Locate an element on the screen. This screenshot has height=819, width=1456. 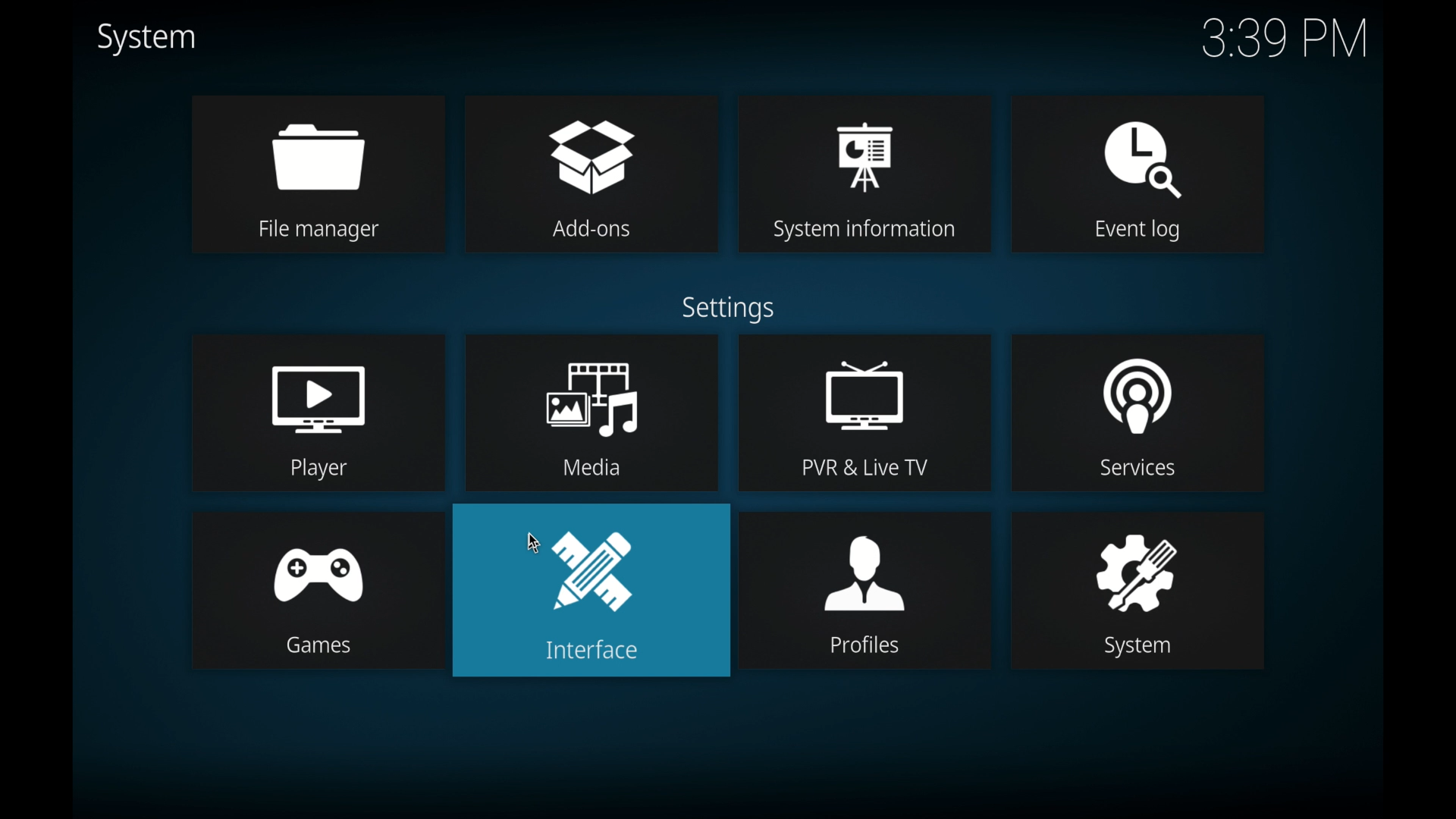
file manager is located at coordinates (317, 174).